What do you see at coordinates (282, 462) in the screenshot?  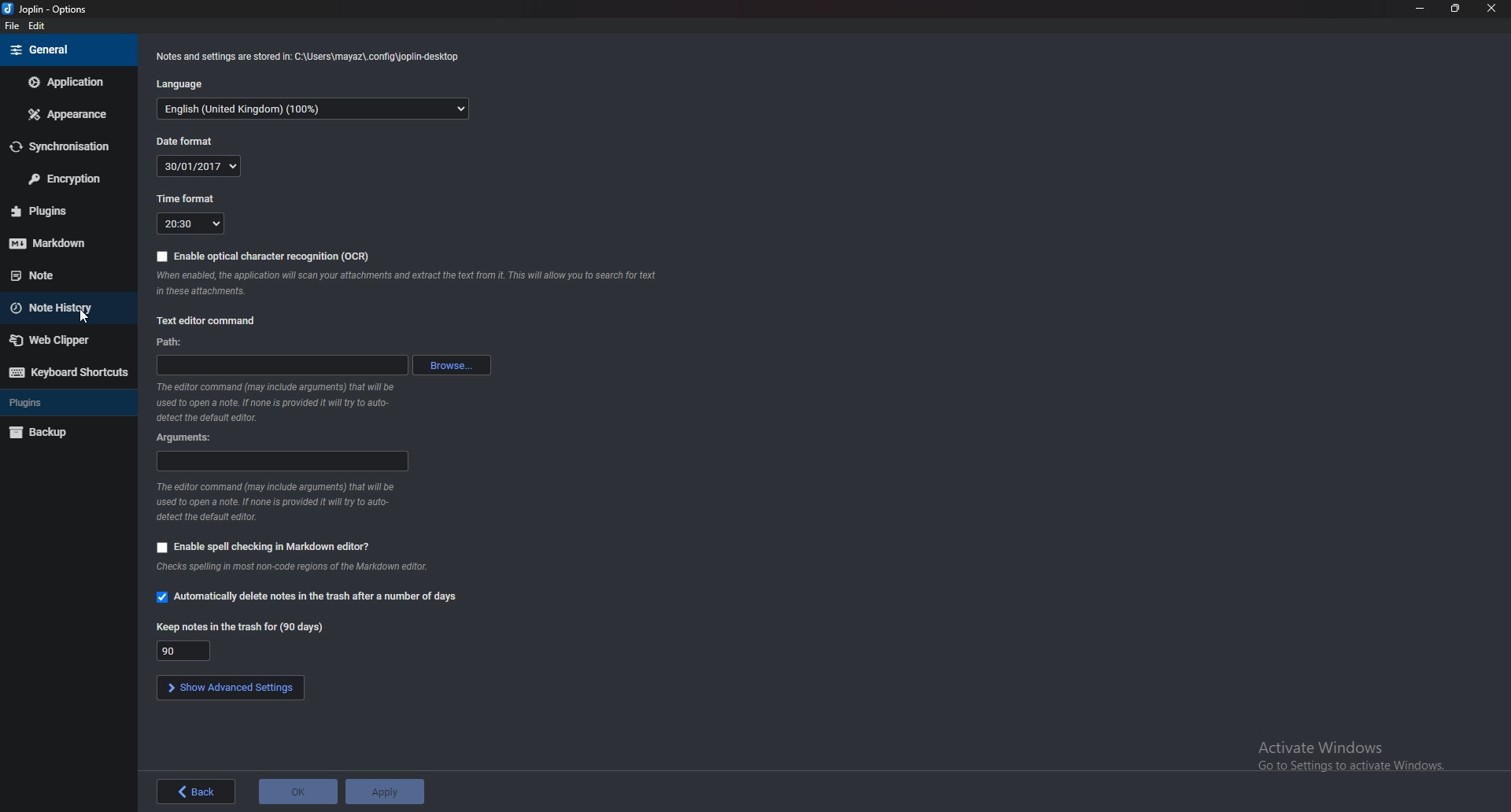 I see `Arguments` at bounding box center [282, 462].